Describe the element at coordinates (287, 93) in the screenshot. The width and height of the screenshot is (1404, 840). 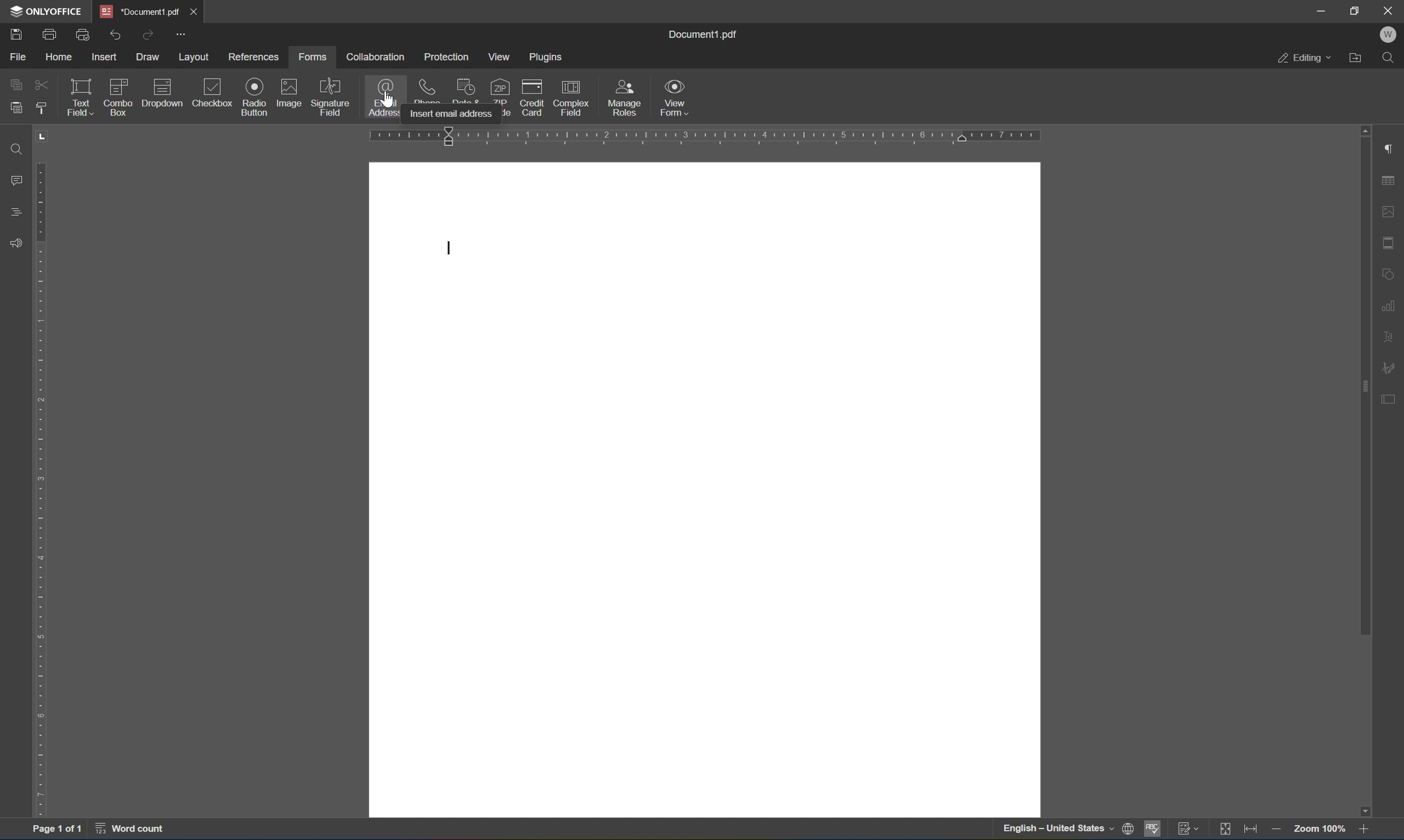
I see `image` at that location.